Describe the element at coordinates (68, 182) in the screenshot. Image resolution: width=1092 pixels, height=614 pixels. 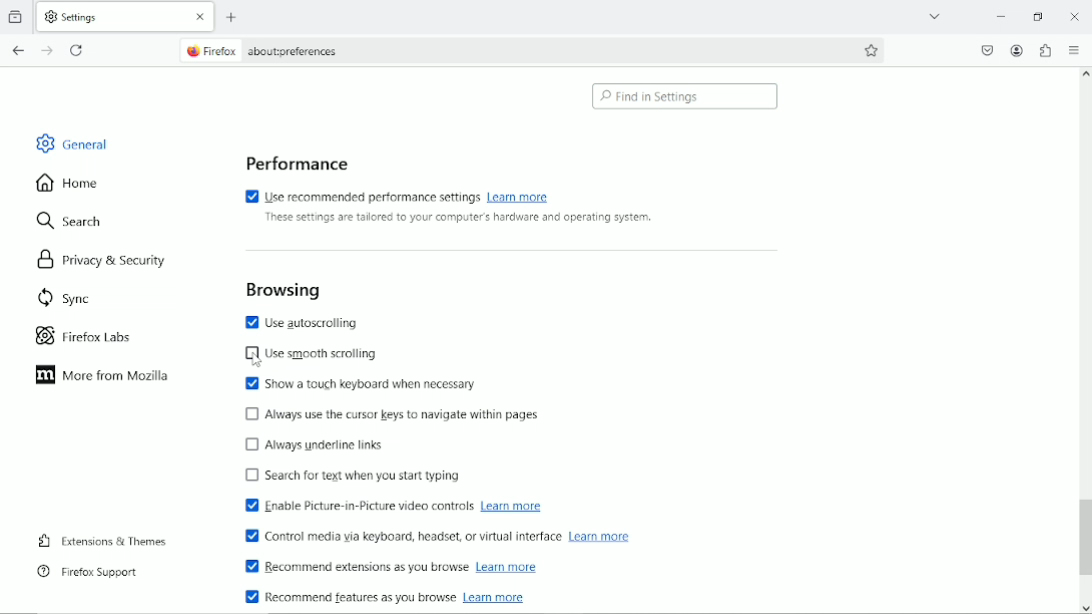
I see `home` at that location.